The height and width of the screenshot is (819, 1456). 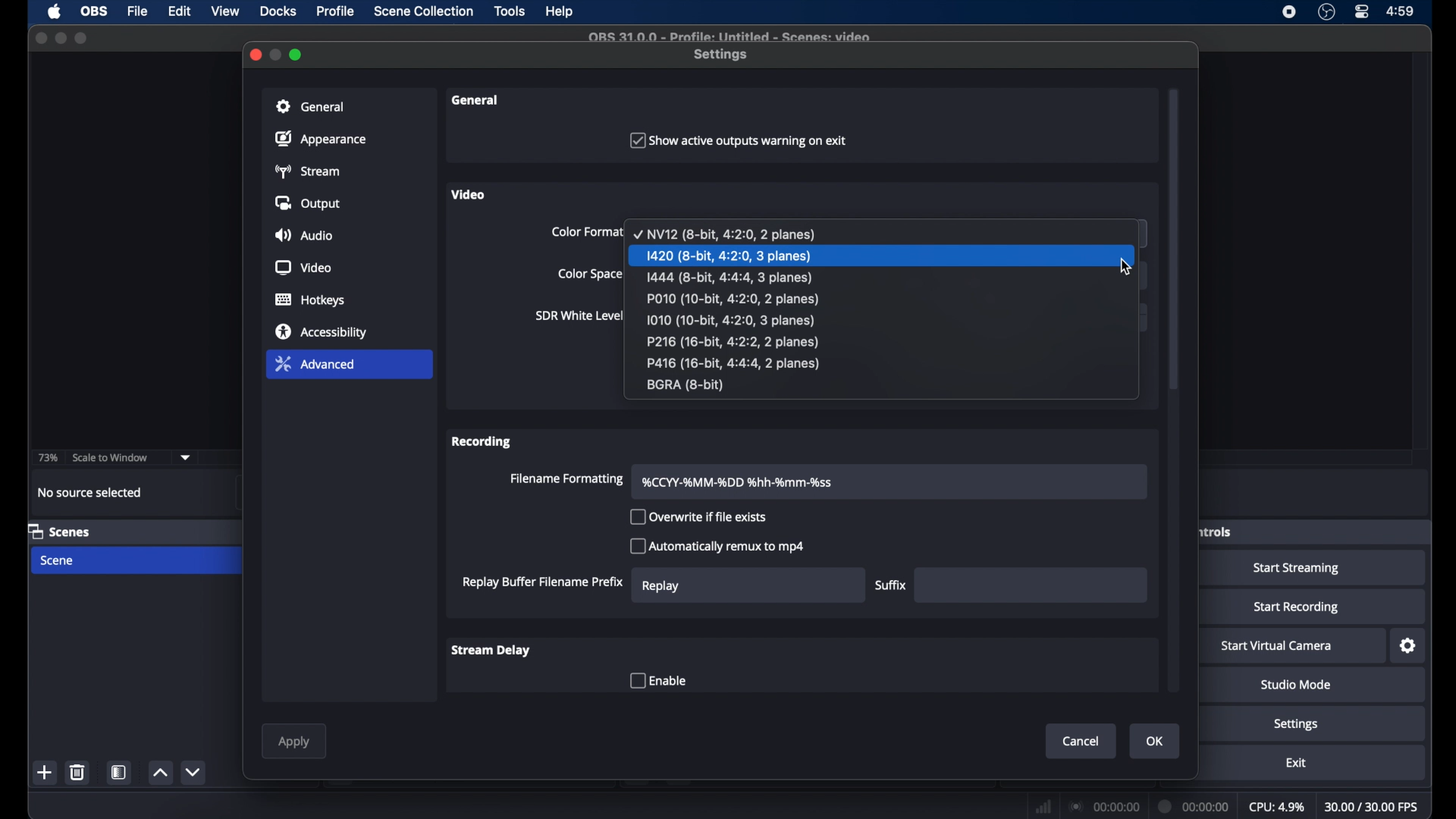 What do you see at coordinates (194, 772) in the screenshot?
I see `decrement` at bounding box center [194, 772].